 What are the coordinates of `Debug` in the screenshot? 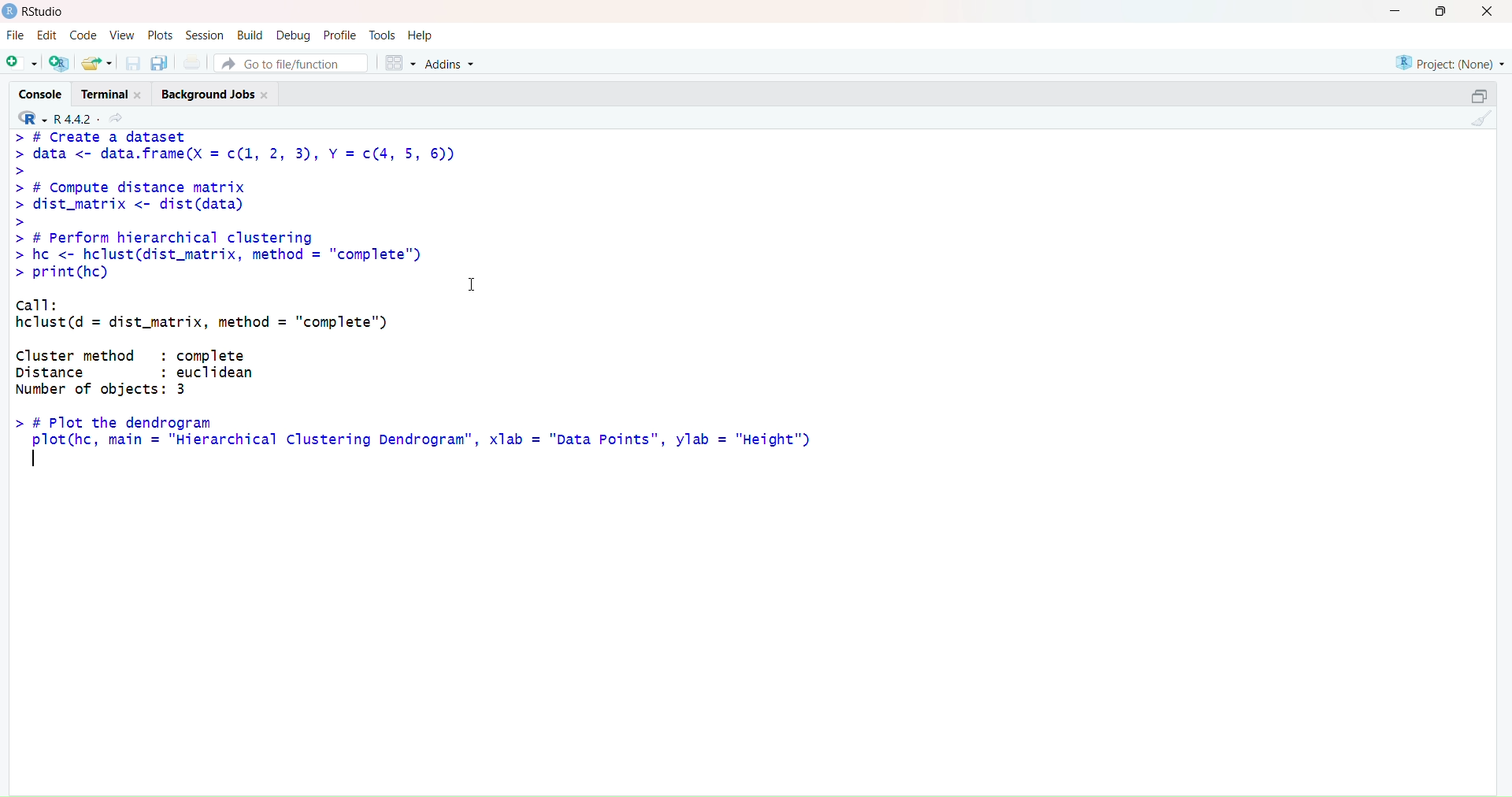 It's located at (292, 35).